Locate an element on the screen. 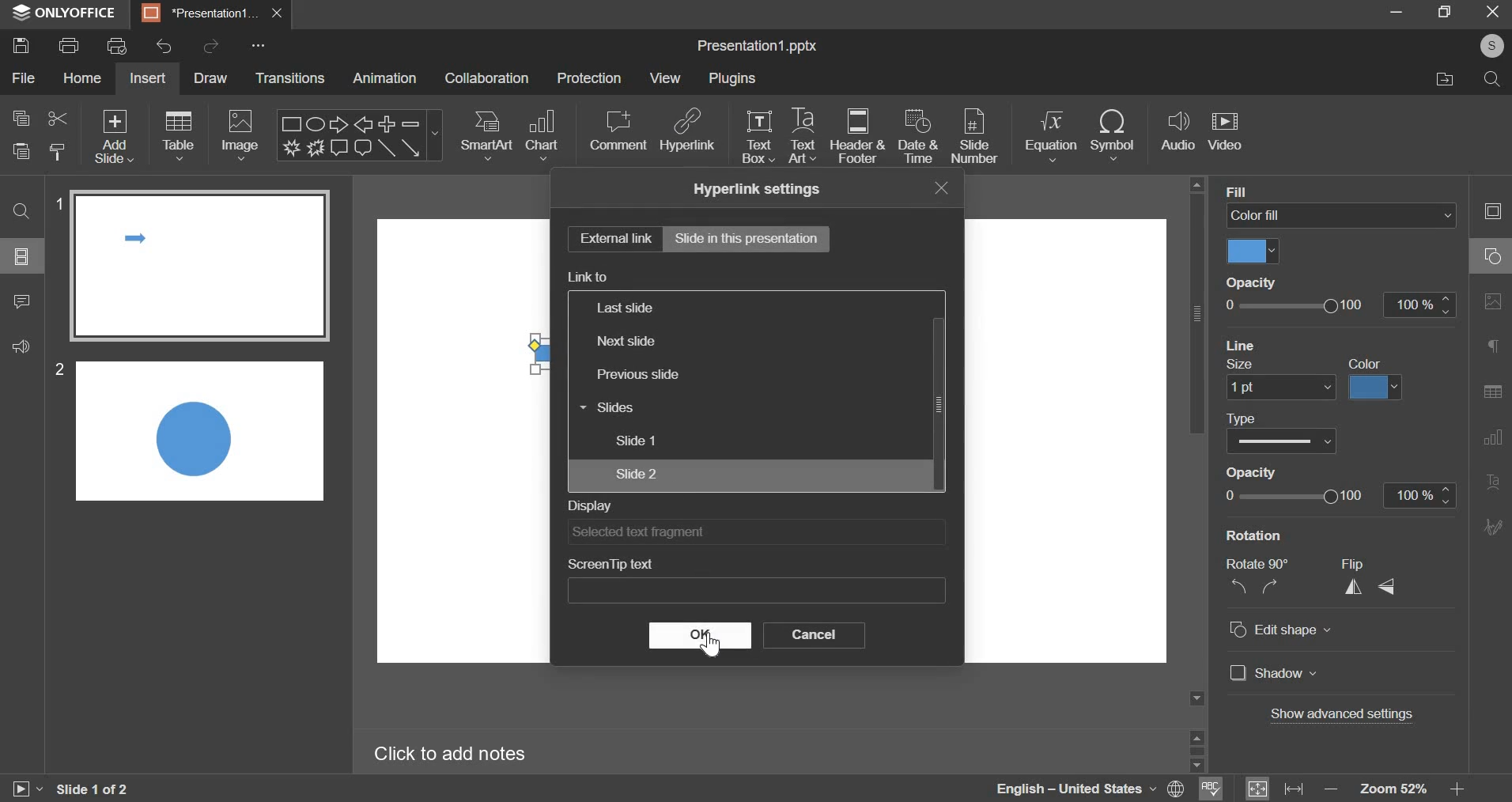  more shapes is located at coordinates (436, 133).